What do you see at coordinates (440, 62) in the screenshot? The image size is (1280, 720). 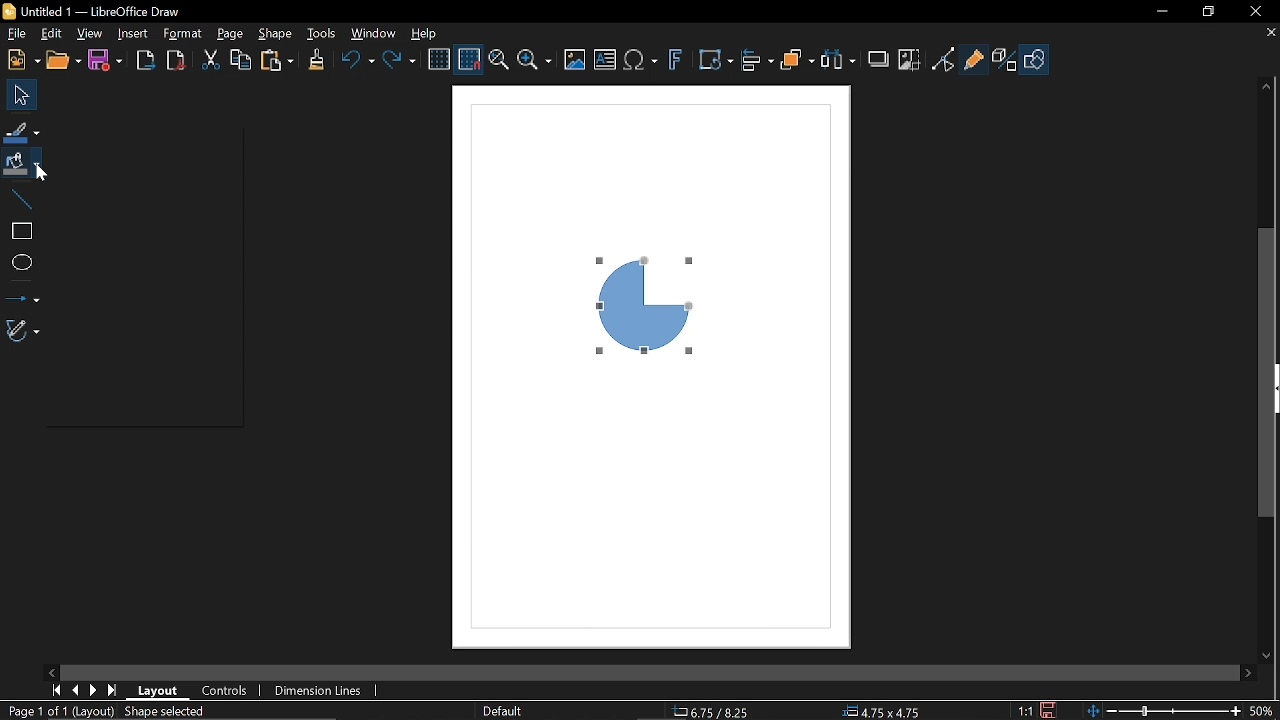 I see `Display grid` at bounding box center [440, 62].